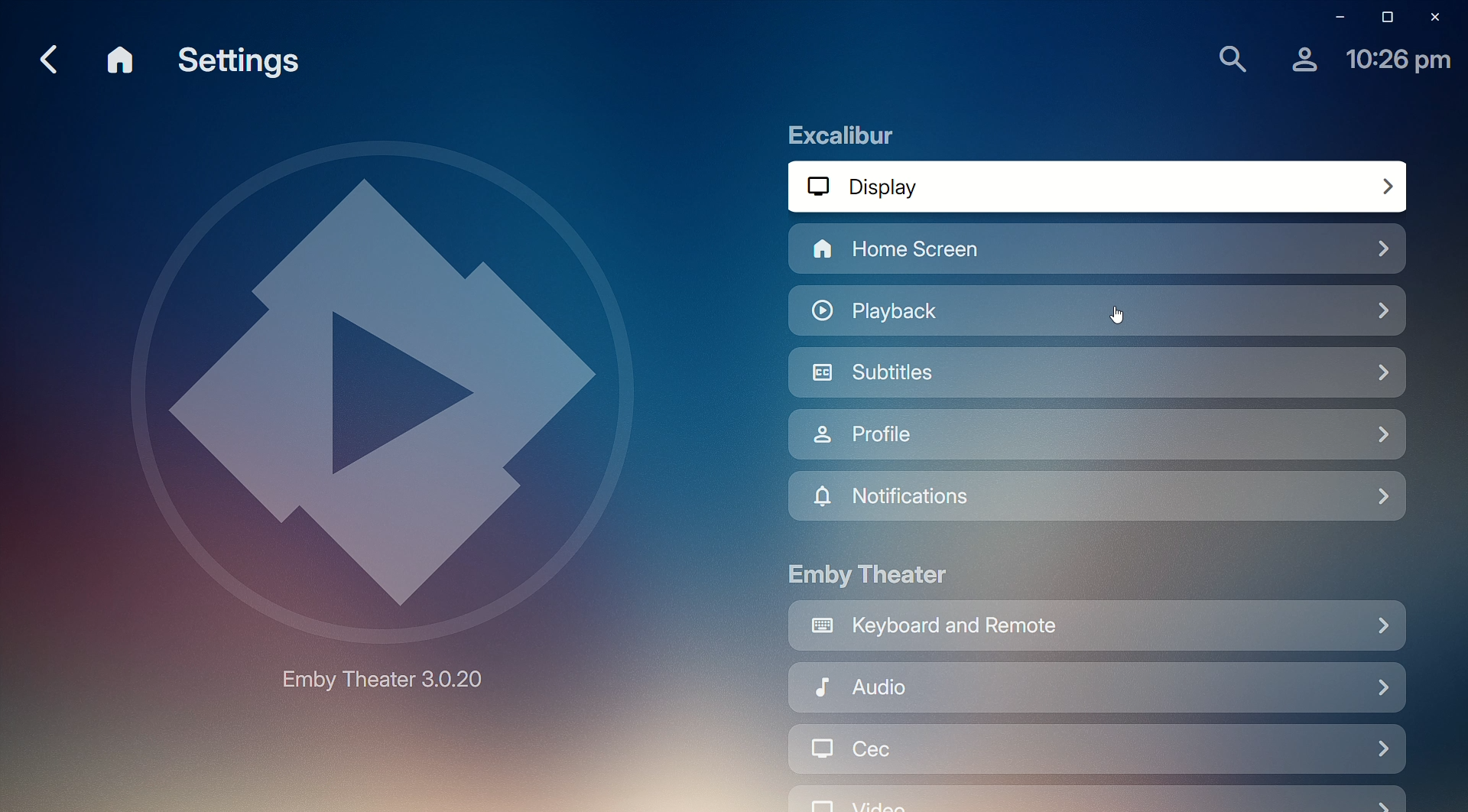  What do you see at coordinates (46, 57) in the screenshot?
I see `Back` at bounding box center [46, 57].